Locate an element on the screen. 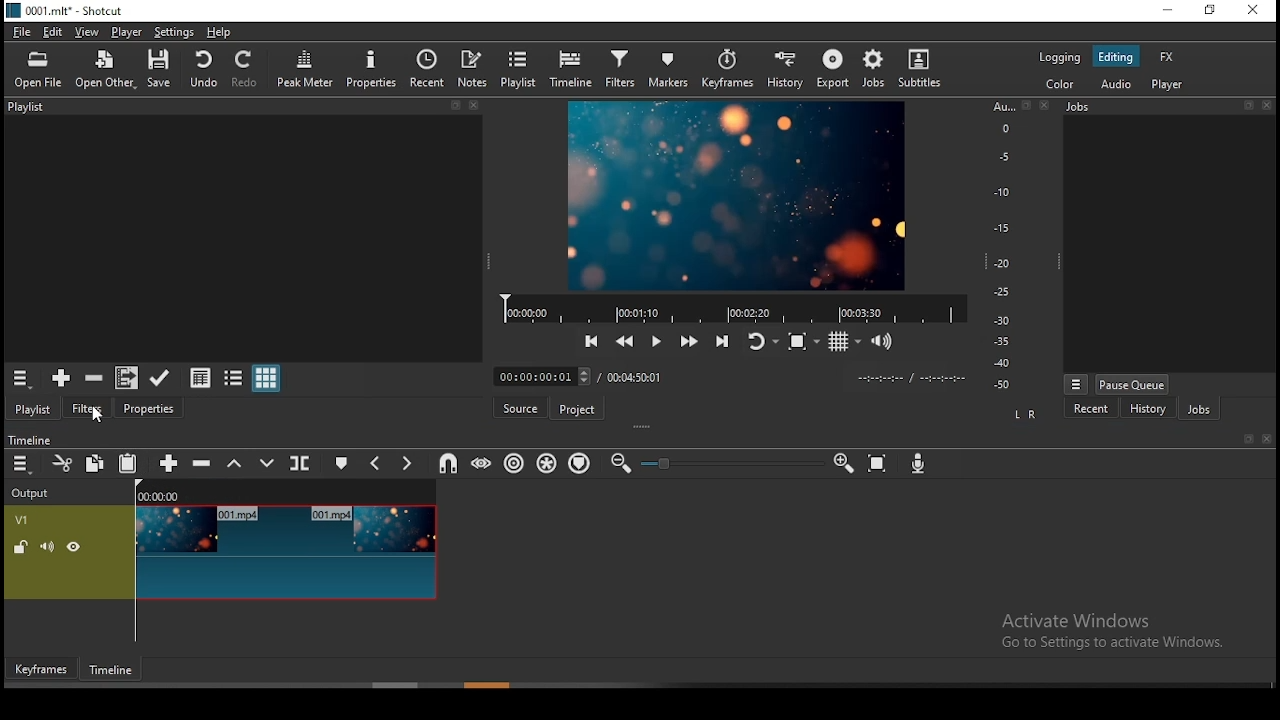 The image size is (1280, 720). ripple markers is located at coordinates (578, 464).